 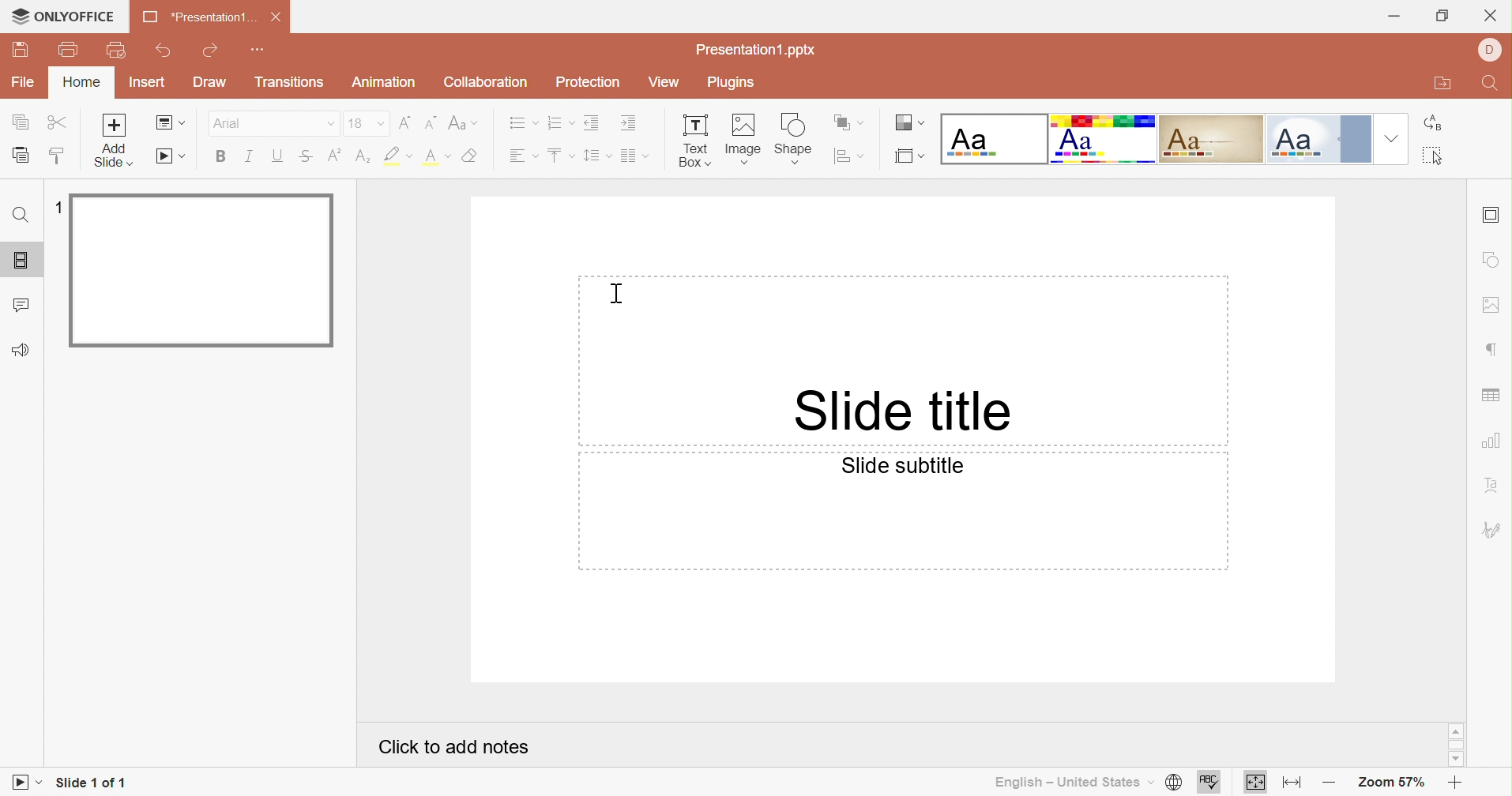 What do you see at coordinates (56, 210) in the screenshot?
I see `1` at bounding box center [56, 210].